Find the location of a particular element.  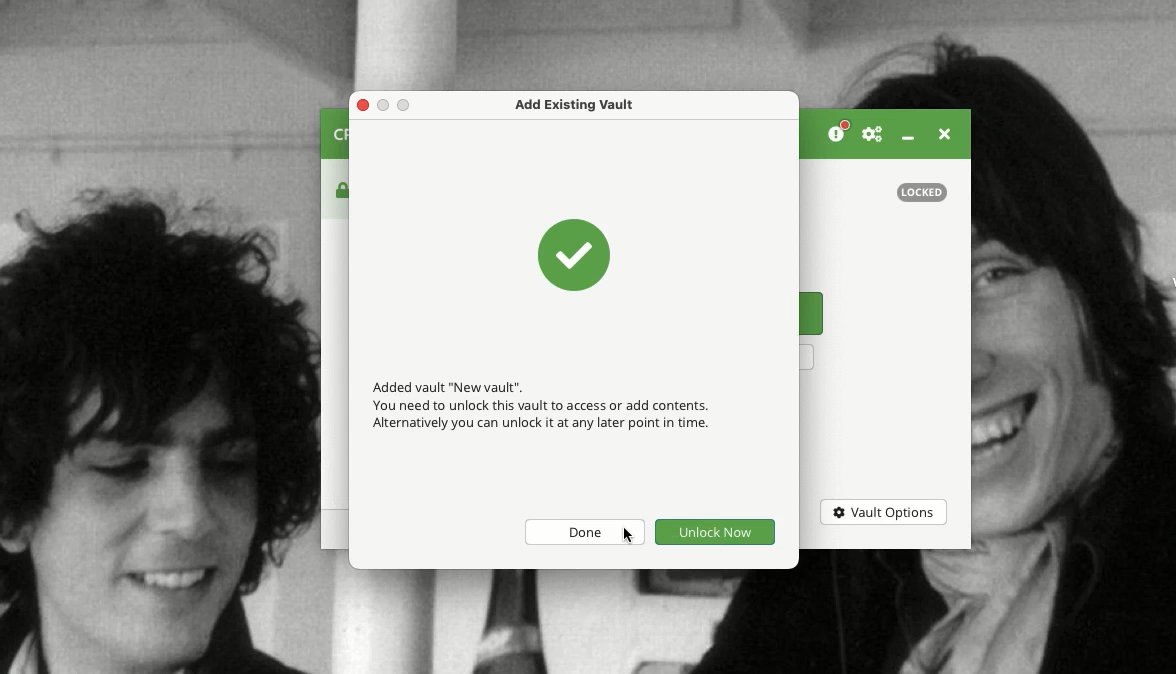

minimize is located at coordinates (405, 104).